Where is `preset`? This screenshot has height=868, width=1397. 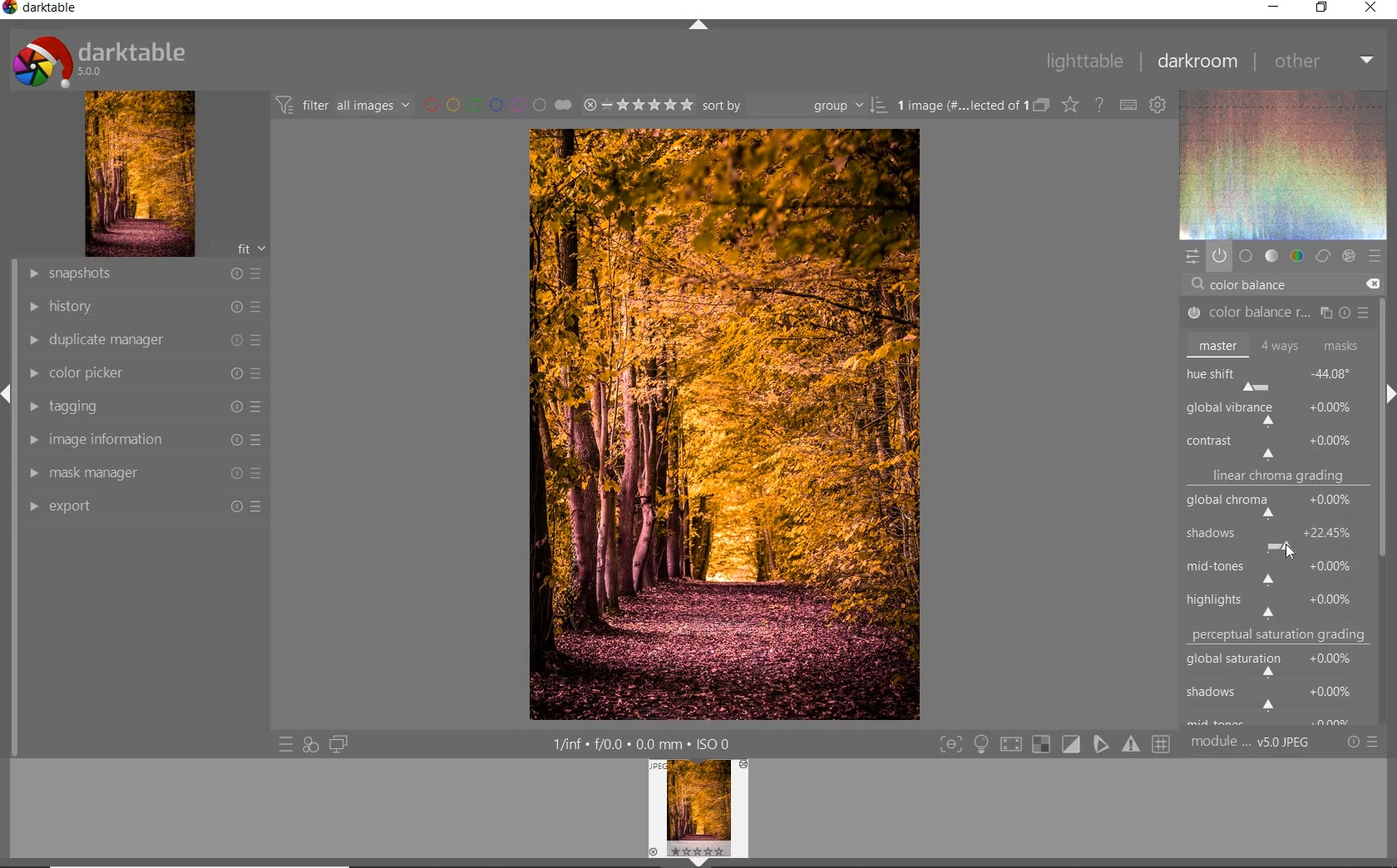
preset is located at coordinates (1374, 255).